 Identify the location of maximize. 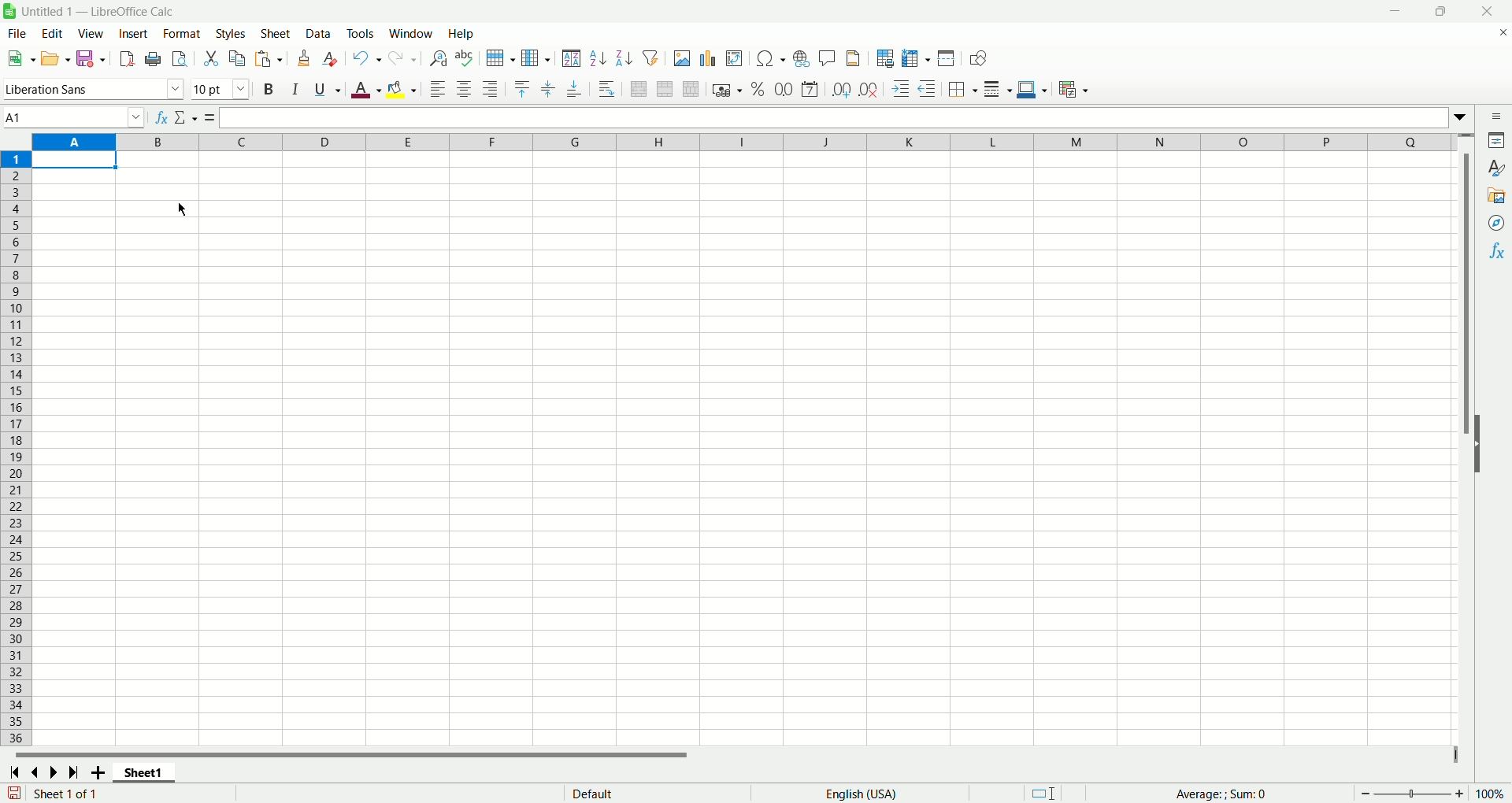
(1442, 13).